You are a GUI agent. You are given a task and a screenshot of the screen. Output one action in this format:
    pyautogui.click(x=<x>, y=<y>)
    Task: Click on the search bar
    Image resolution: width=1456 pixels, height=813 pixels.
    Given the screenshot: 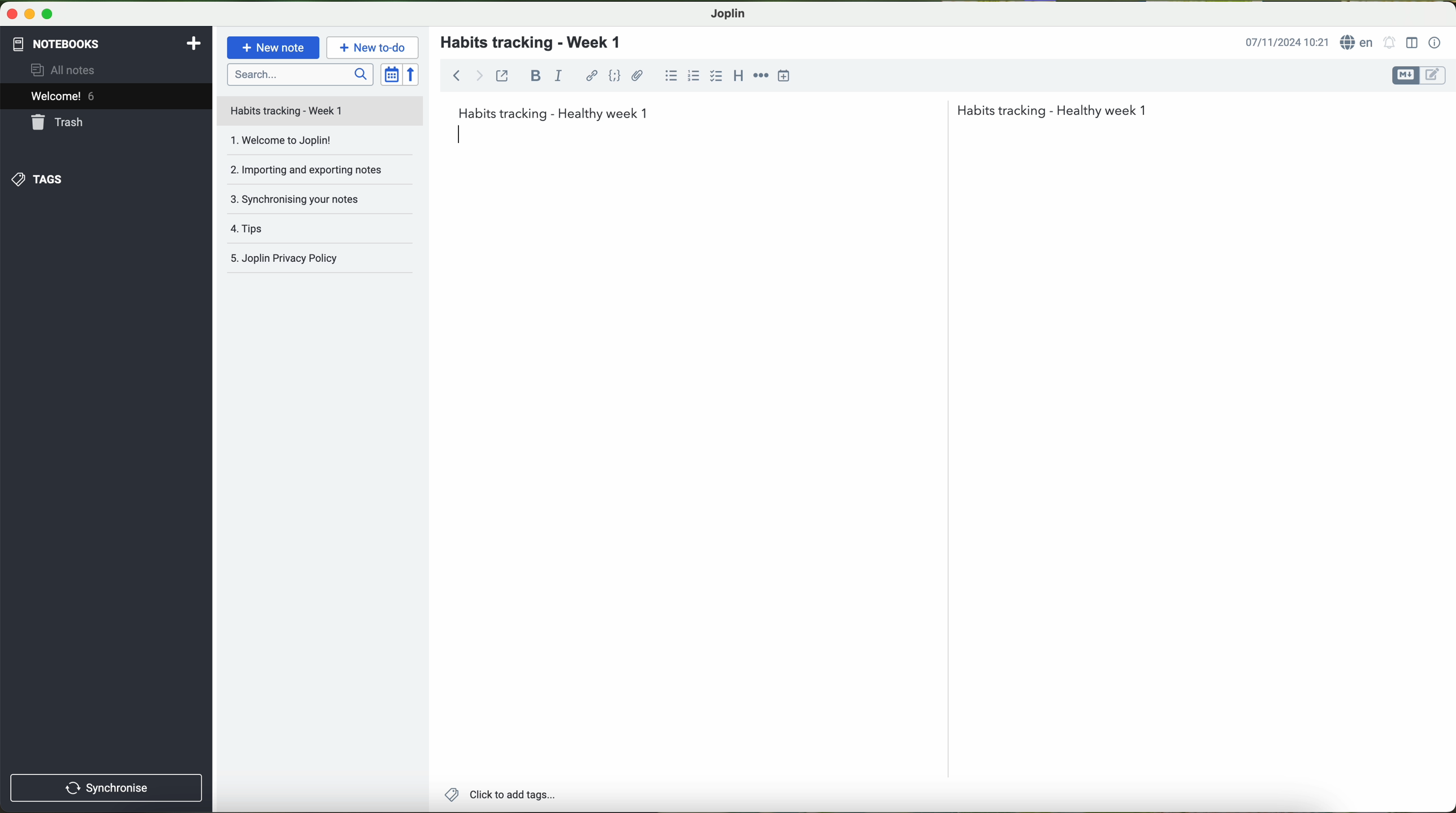 What is the action you would take?
    pyautogui.click(x=299, y=74)
    